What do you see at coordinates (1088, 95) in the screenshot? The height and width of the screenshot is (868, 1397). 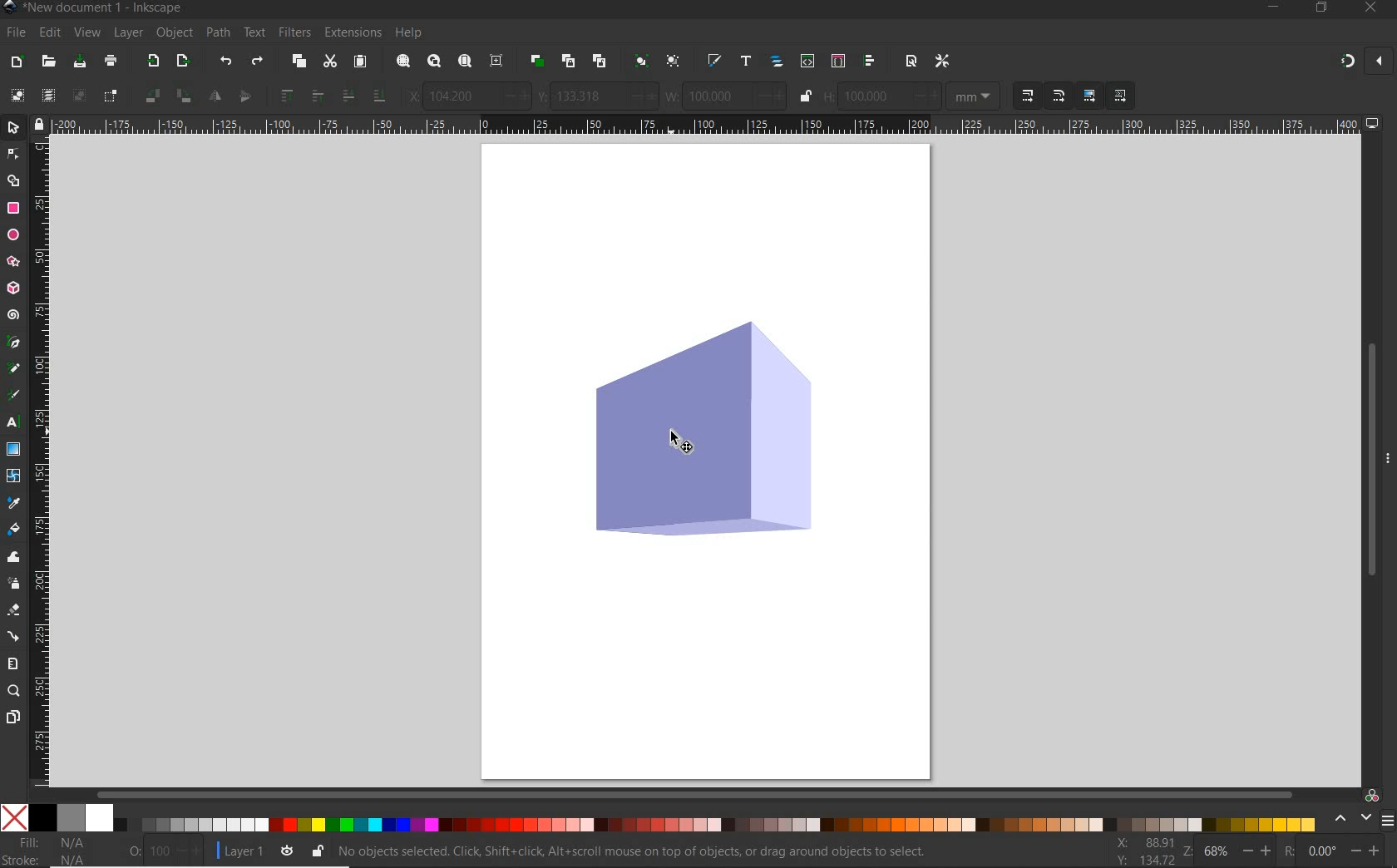 I see `MOVE GRADIENTS` at bounding box center [1088, 95].